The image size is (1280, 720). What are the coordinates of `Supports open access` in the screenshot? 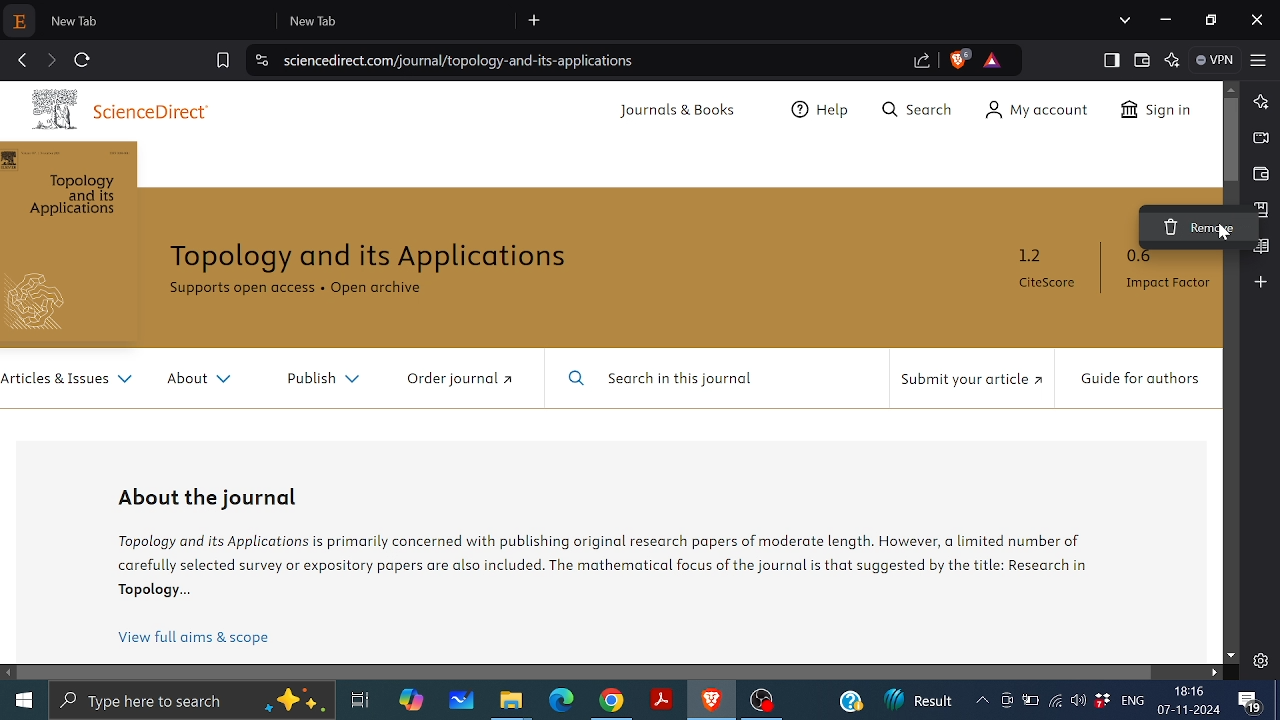 It's located at (241, 288).